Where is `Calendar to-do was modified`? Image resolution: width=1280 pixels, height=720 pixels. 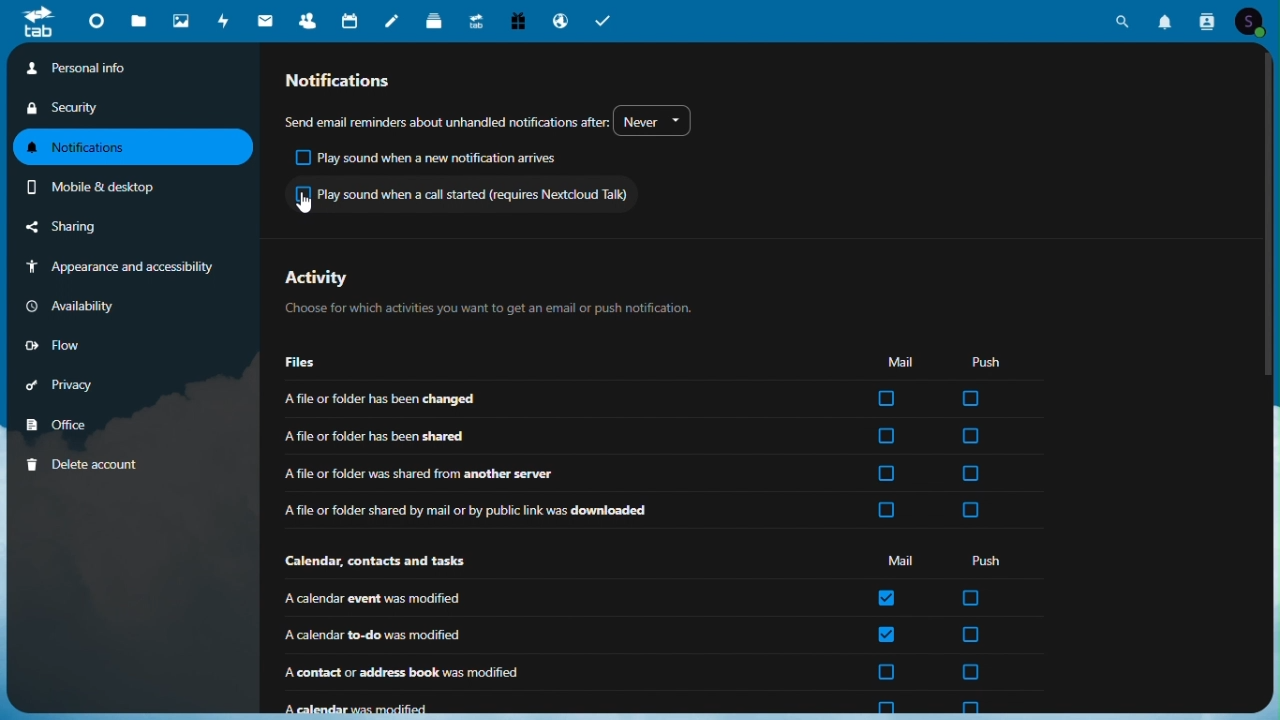
Calendar to-do was modified is located at coordinates (555, 635).